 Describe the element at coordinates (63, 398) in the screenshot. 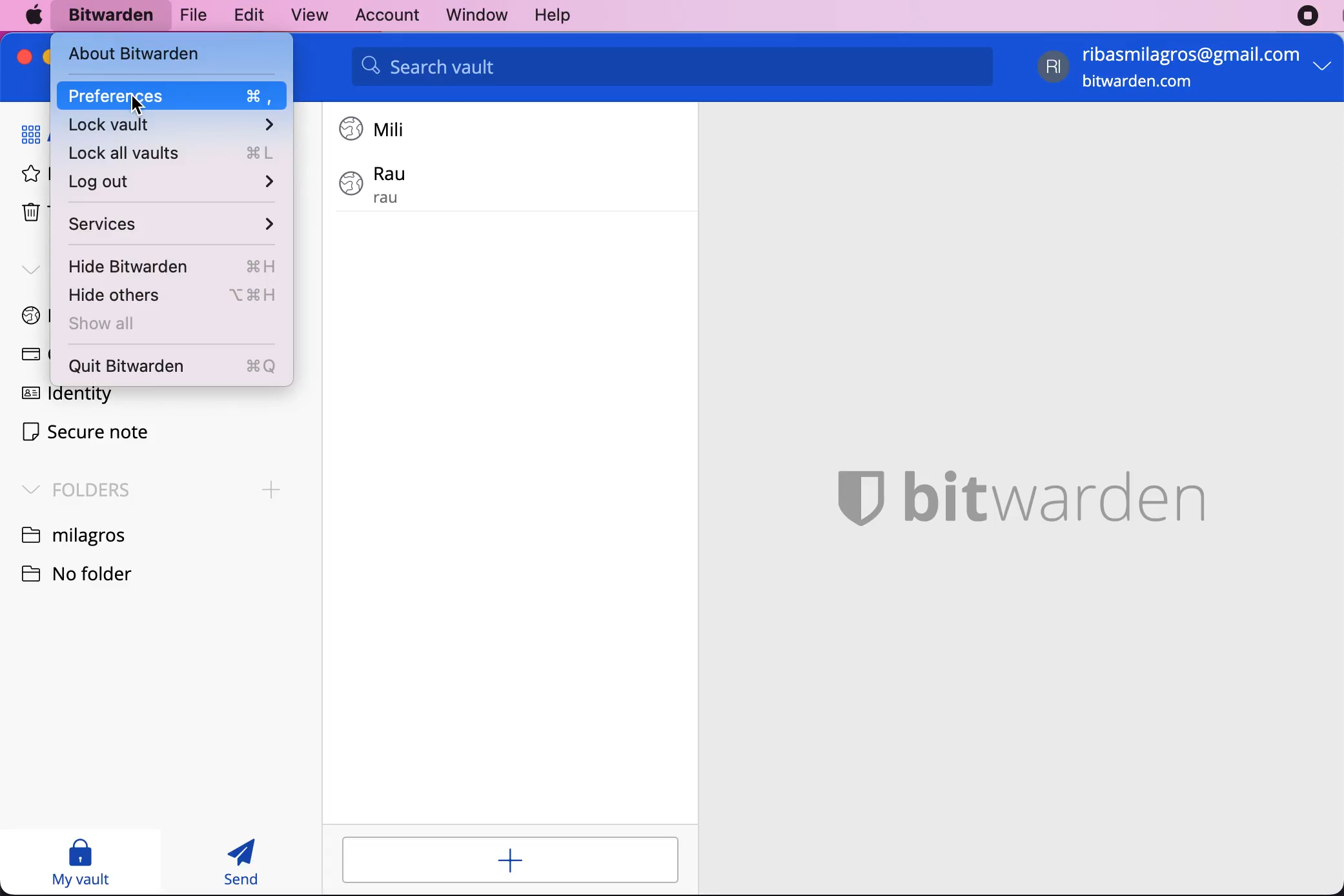

I see `identity` at that location.